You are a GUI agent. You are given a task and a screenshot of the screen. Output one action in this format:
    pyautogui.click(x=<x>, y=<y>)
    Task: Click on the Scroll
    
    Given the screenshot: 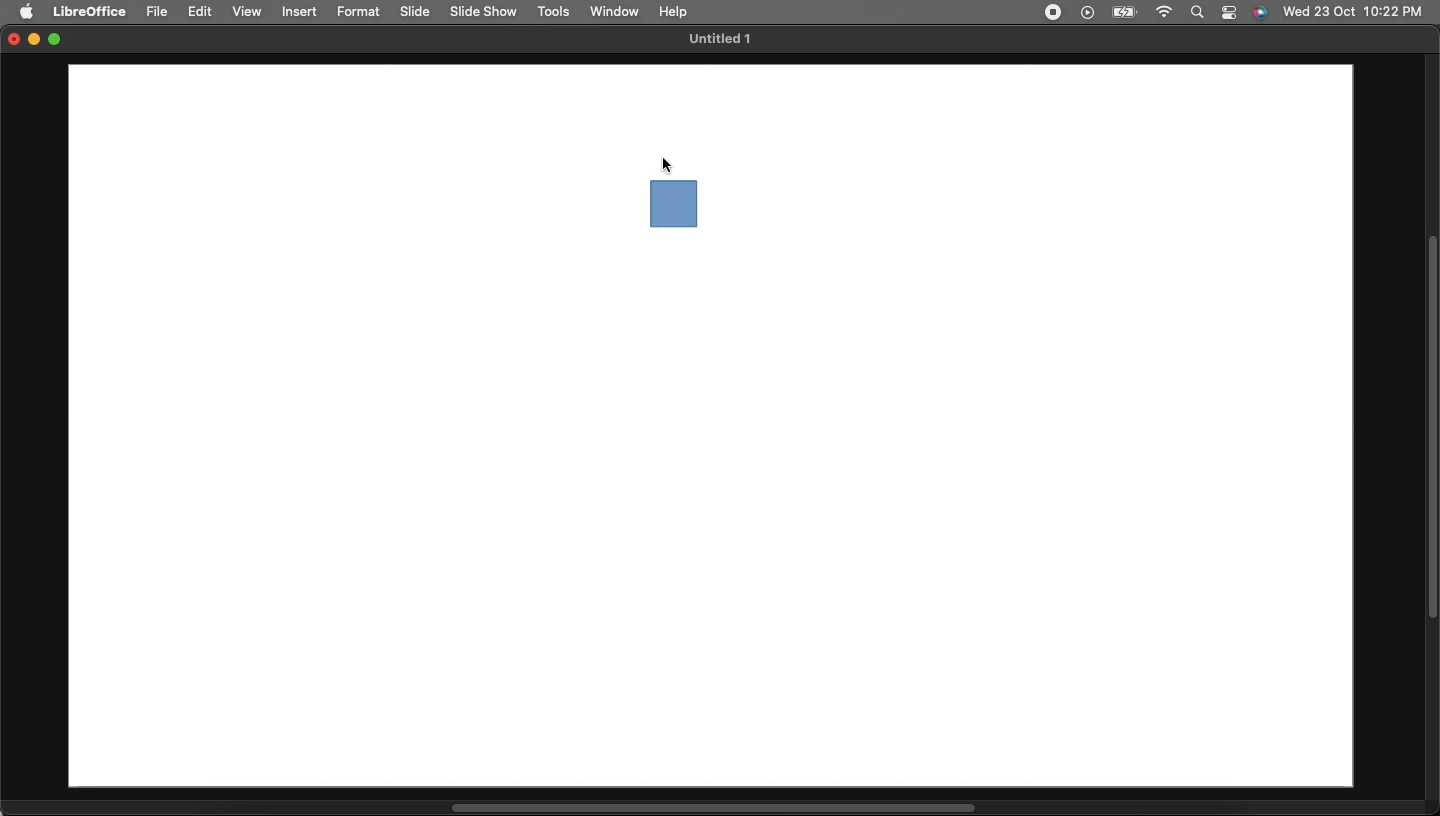 What is the action you would take?
    pyautogui.click(x=1431, y=429)
    